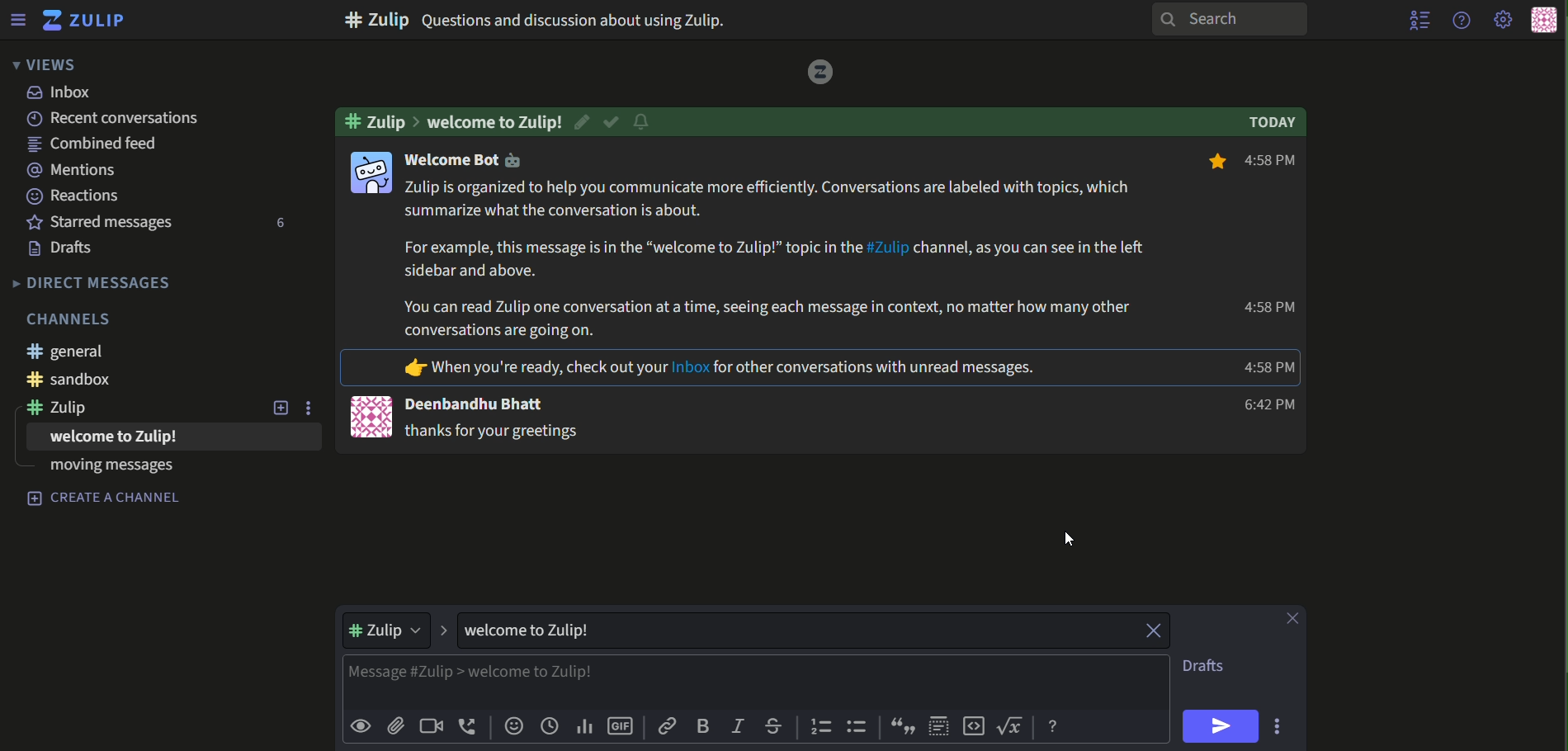  Describe the element at coordinates (858, 728) in the screenshot. I see `bullet formatting` at that location.